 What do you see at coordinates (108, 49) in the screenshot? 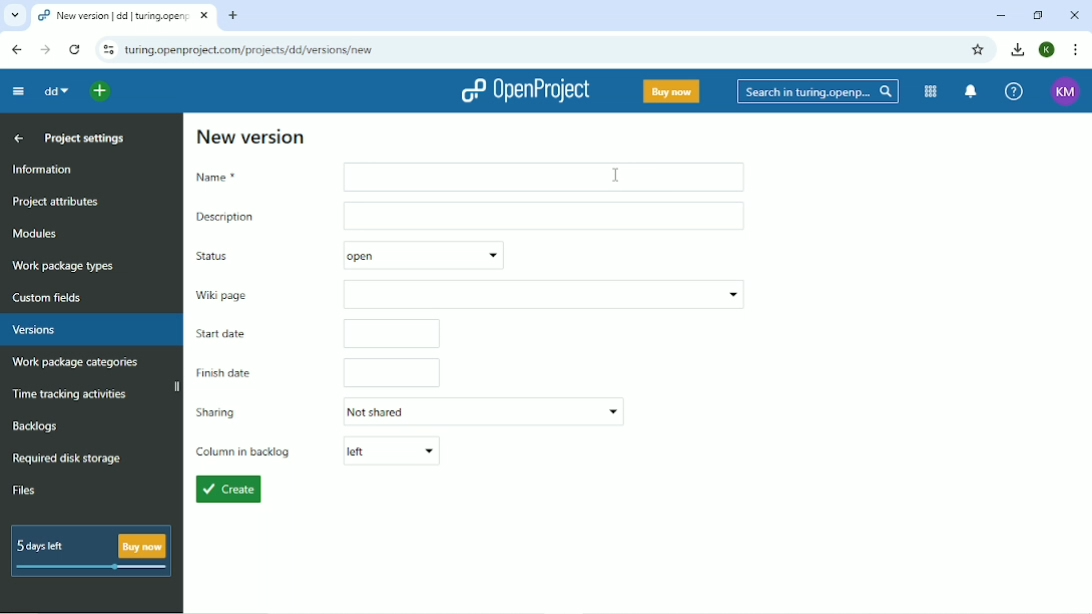
I see `View site information` at bounding box center [108, 49].